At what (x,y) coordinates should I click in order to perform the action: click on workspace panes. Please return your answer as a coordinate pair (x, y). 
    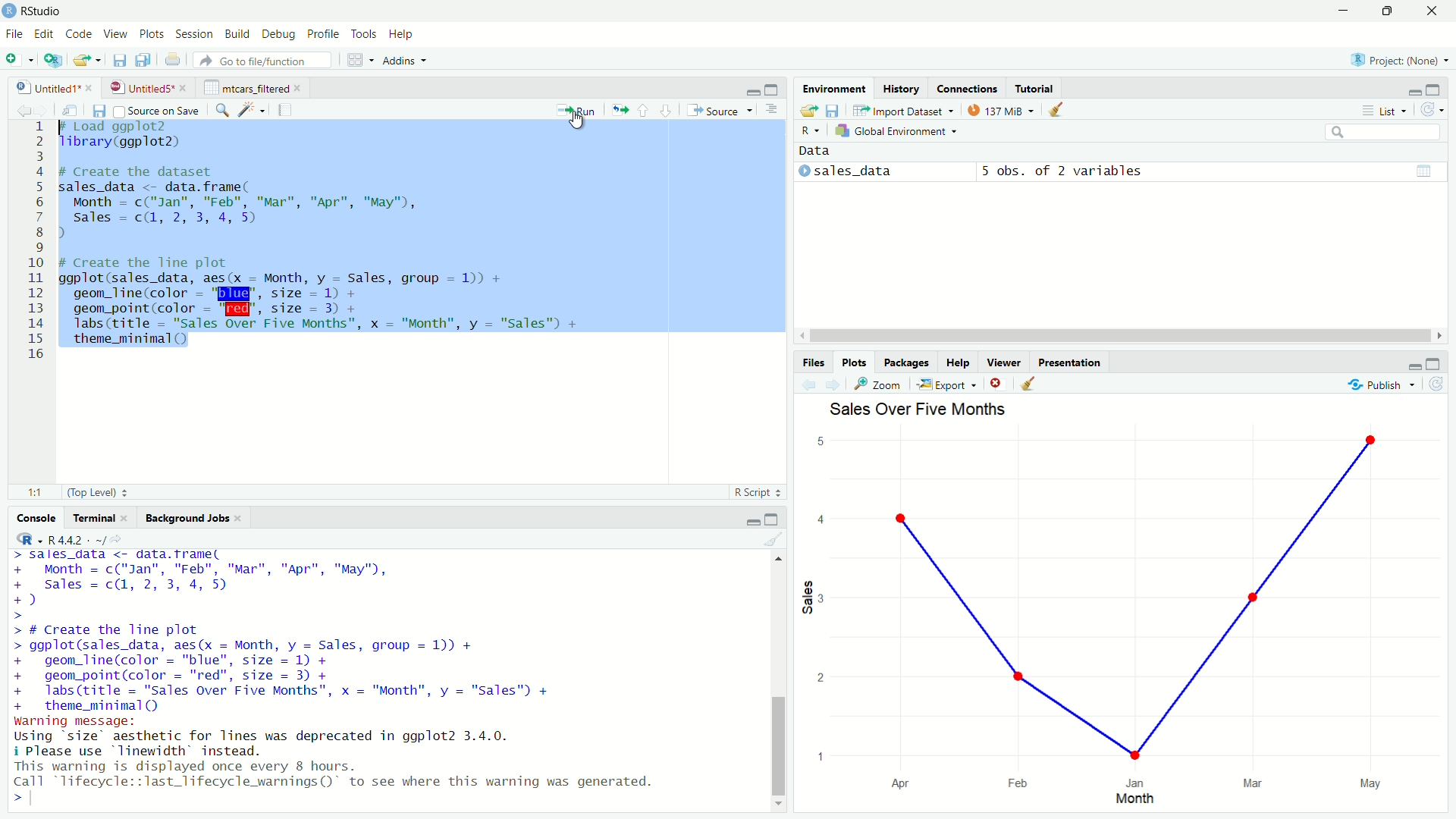
    Looking at the image, I should click on (356, 60).